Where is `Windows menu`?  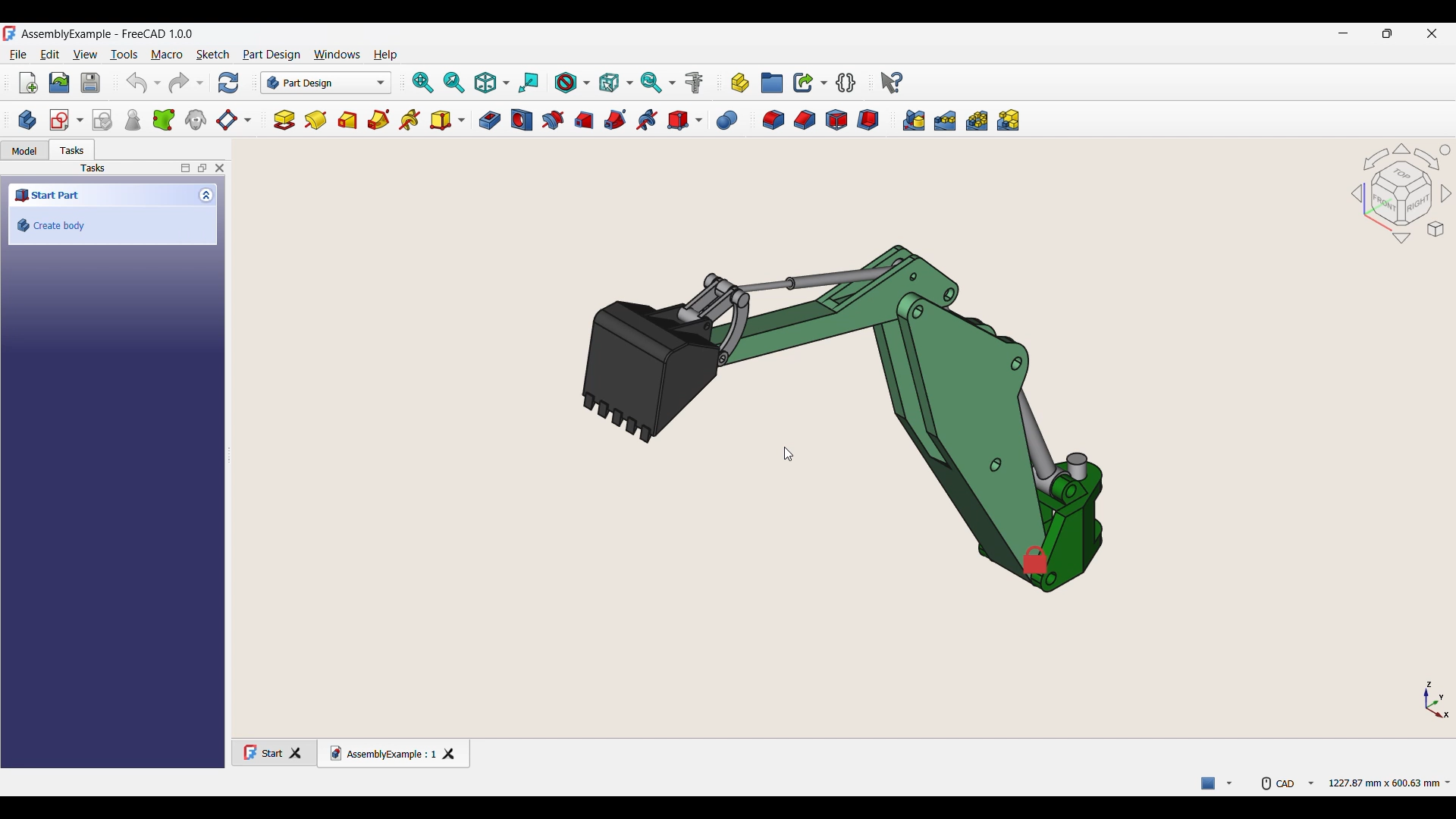
Windows menu is located at coordinates (337, 56).